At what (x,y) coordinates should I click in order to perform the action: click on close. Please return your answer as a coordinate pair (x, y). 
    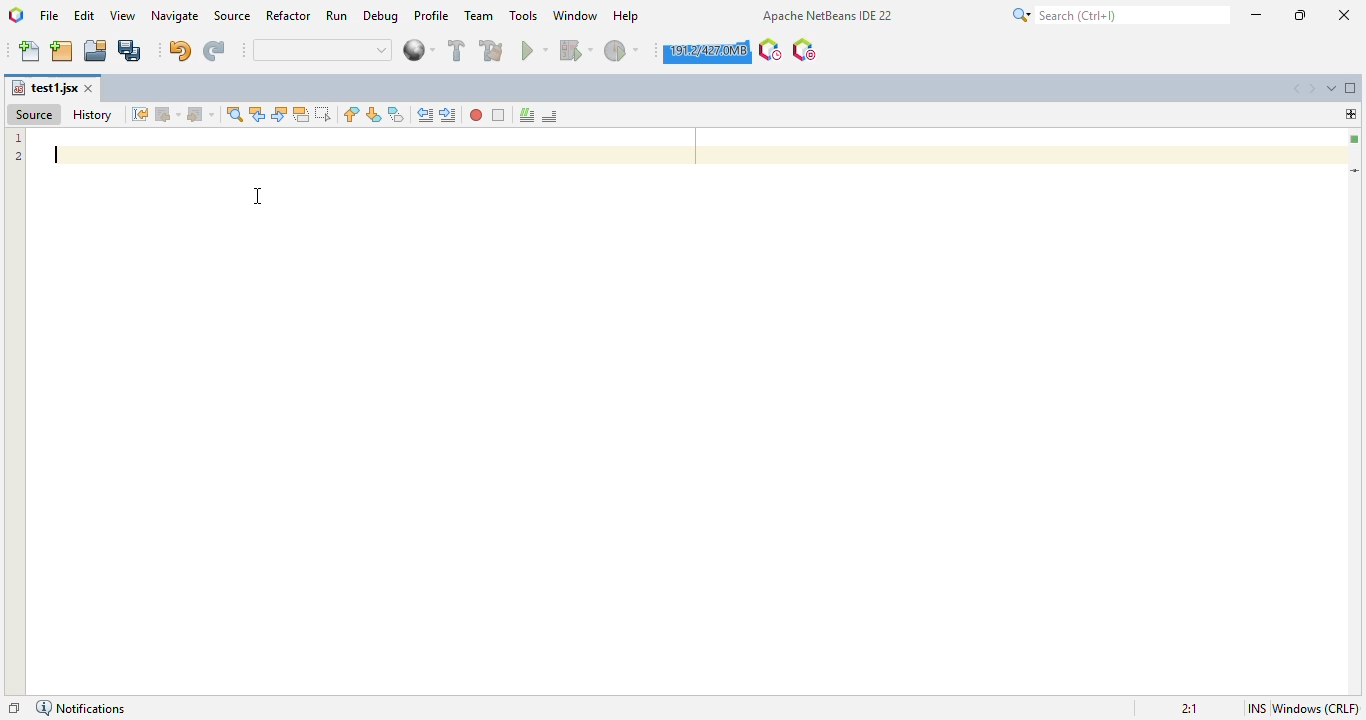
    Looking at the image, I should click on (1344, 15).